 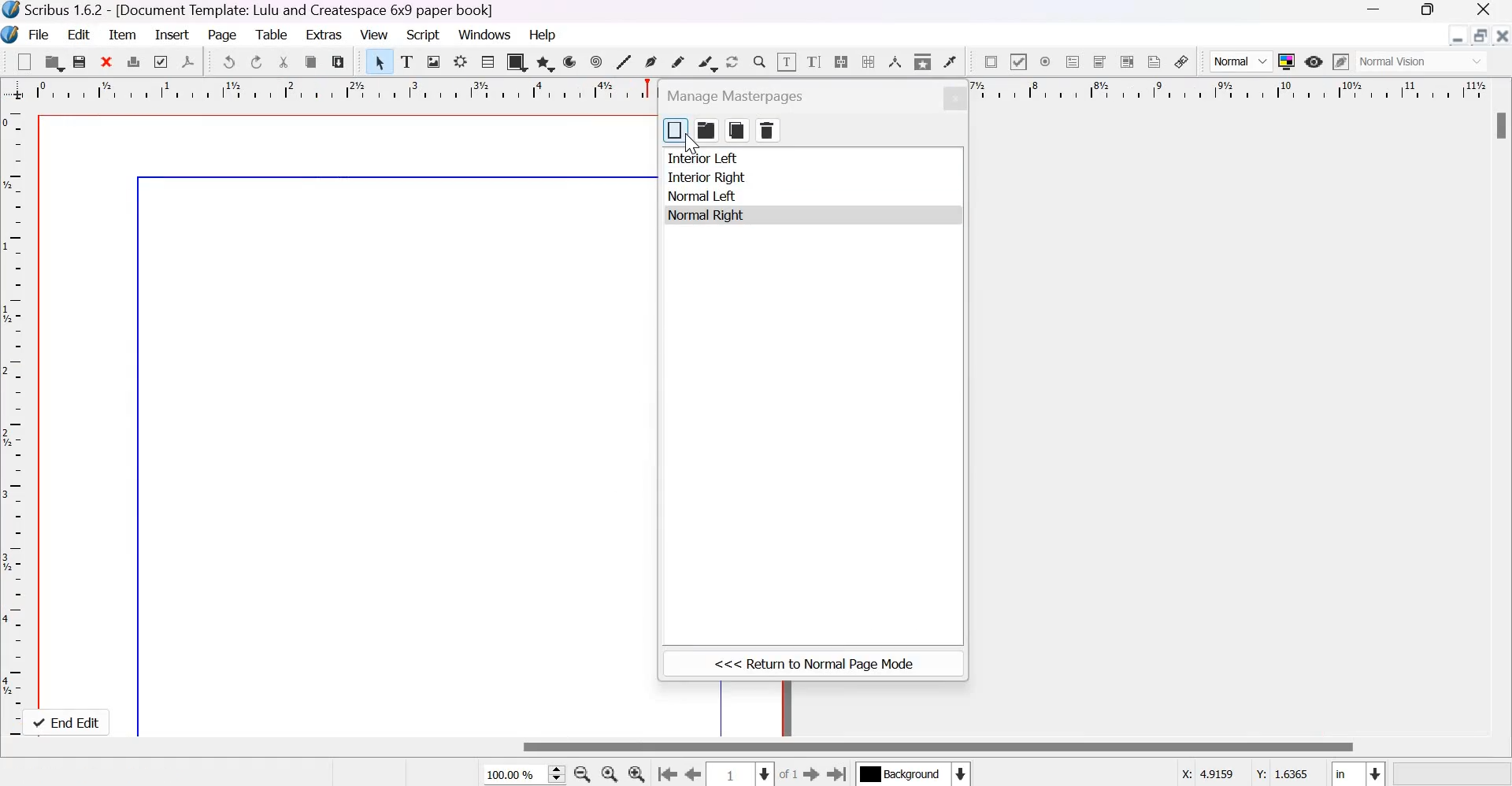 What do you see at coordinates (740, 95) in the screenshot?
I see `manage masterpages` at bounding box center [740, 95].